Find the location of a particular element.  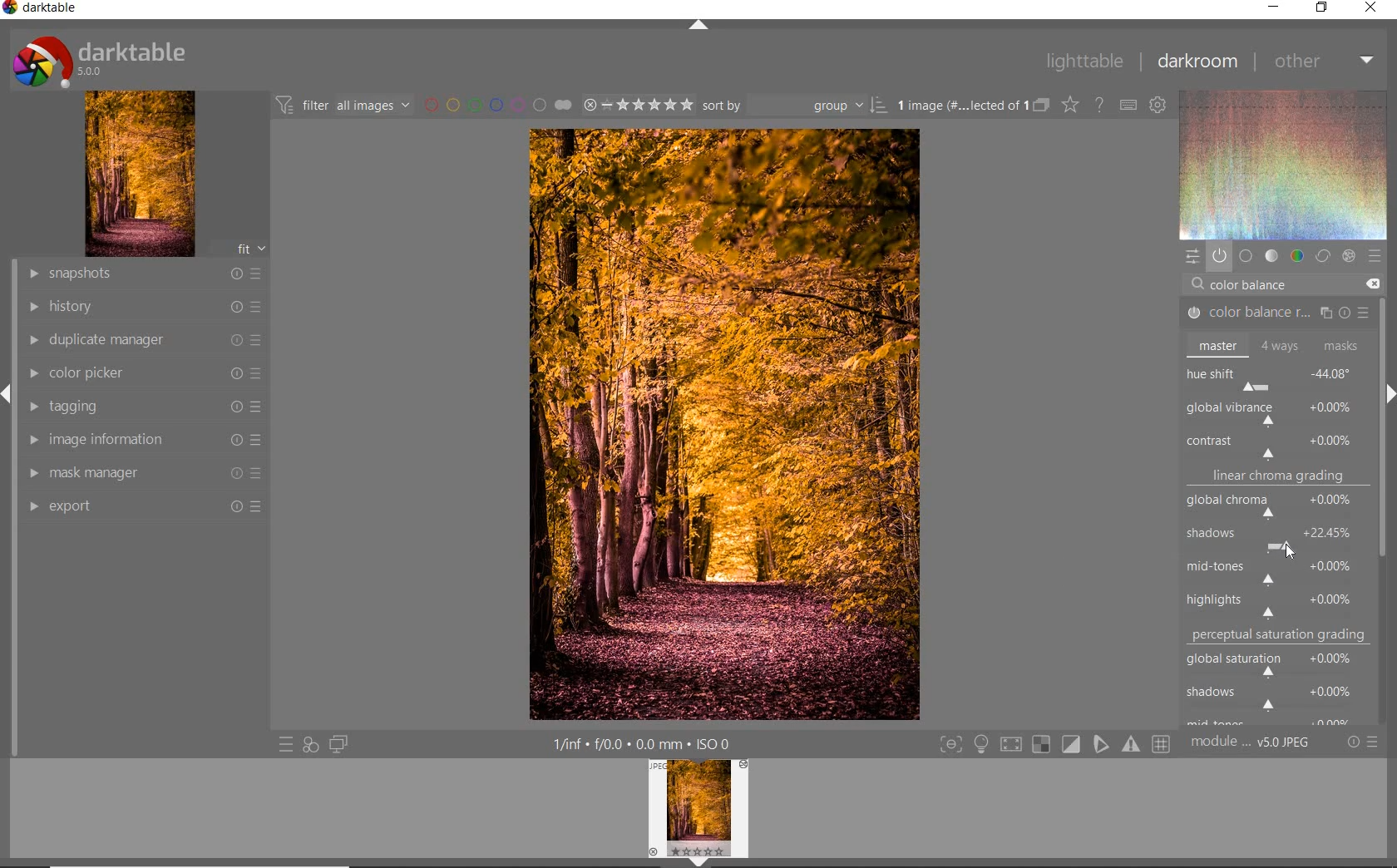

global chroma is located at coordinates (1279, 508).